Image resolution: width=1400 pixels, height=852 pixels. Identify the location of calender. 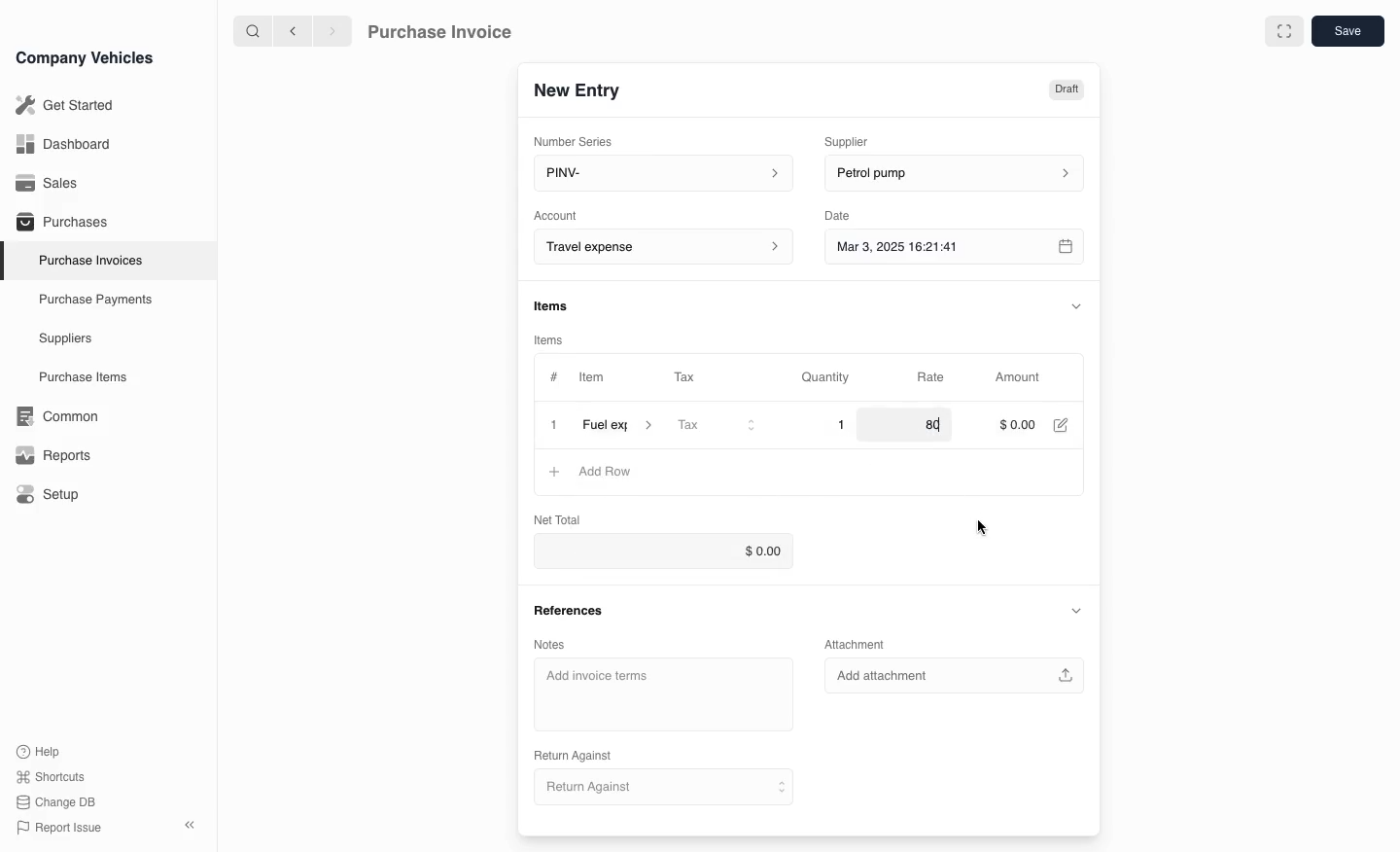
(1067, 248).